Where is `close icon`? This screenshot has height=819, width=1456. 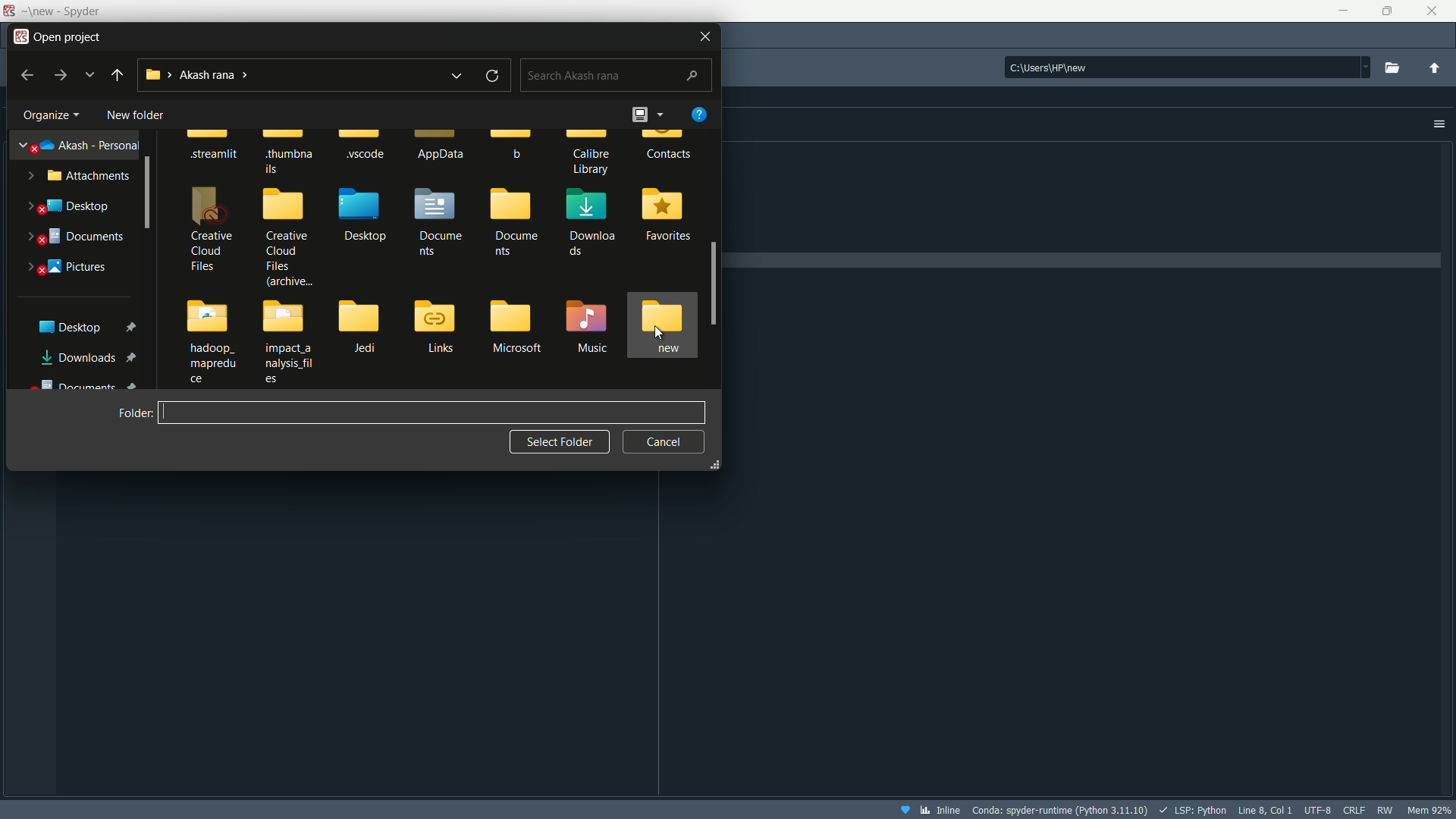
close icon is located at coordinates (704, 35).